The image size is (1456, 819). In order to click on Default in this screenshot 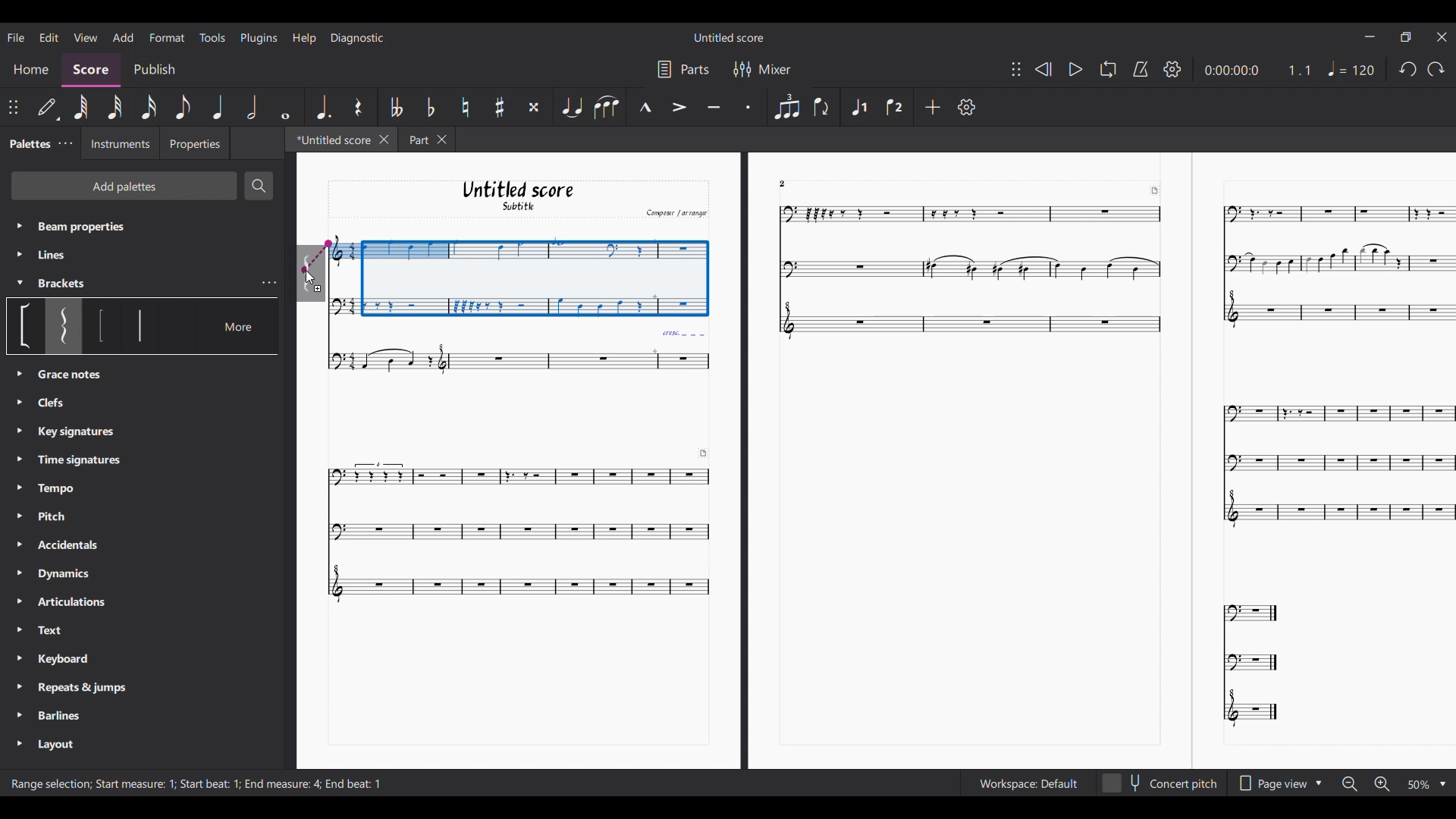, I will do `click(48, 109)`.